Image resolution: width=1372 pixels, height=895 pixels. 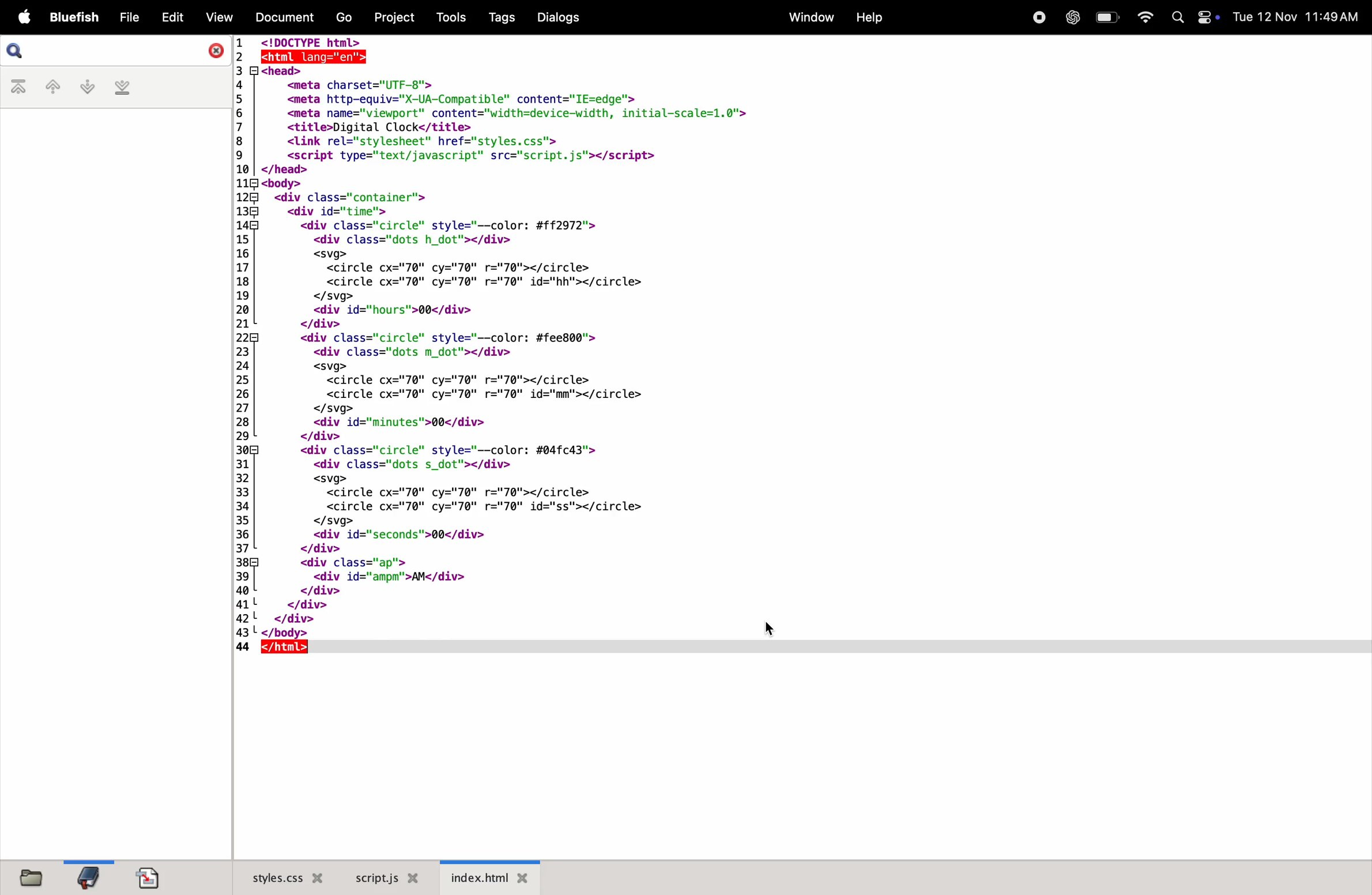 What do you see at coordinates (86, 876) in the screenshot?
I see `bookmarksfile` at bounding box center [86, 876].